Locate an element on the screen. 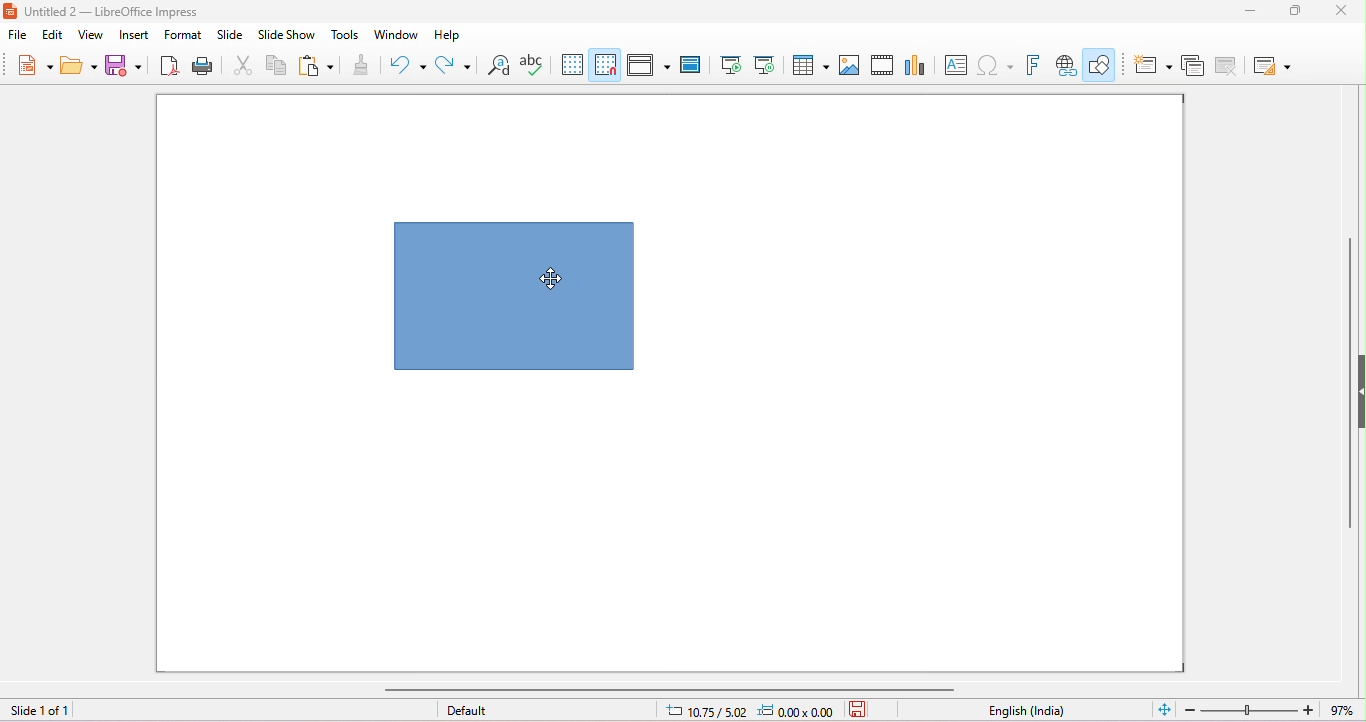 Image resolution: width=1366 pixels, height=722 pixels. shape is located at coordinates (512, 296).